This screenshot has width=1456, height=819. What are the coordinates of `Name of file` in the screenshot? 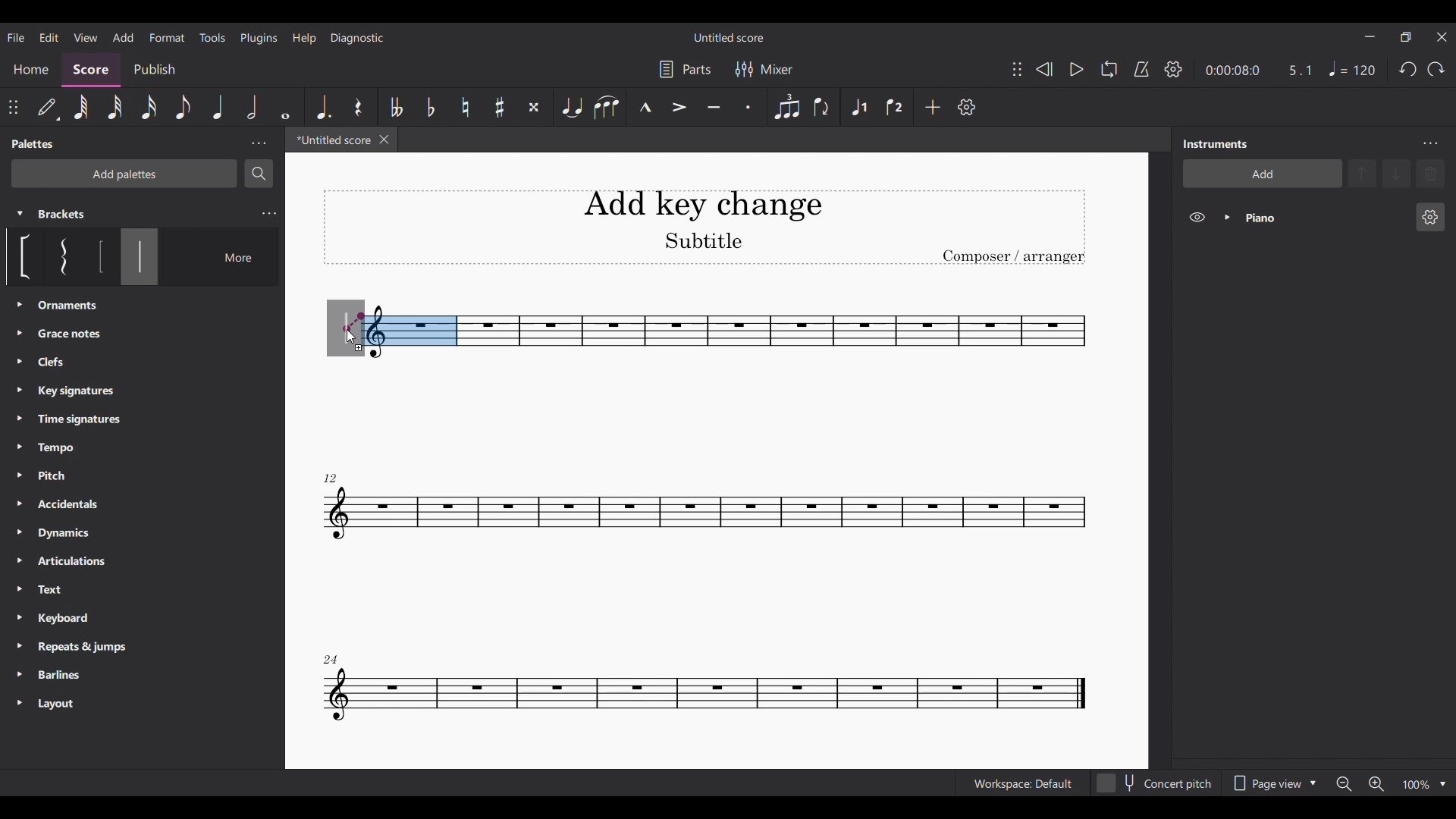 It's located at (730, 37).